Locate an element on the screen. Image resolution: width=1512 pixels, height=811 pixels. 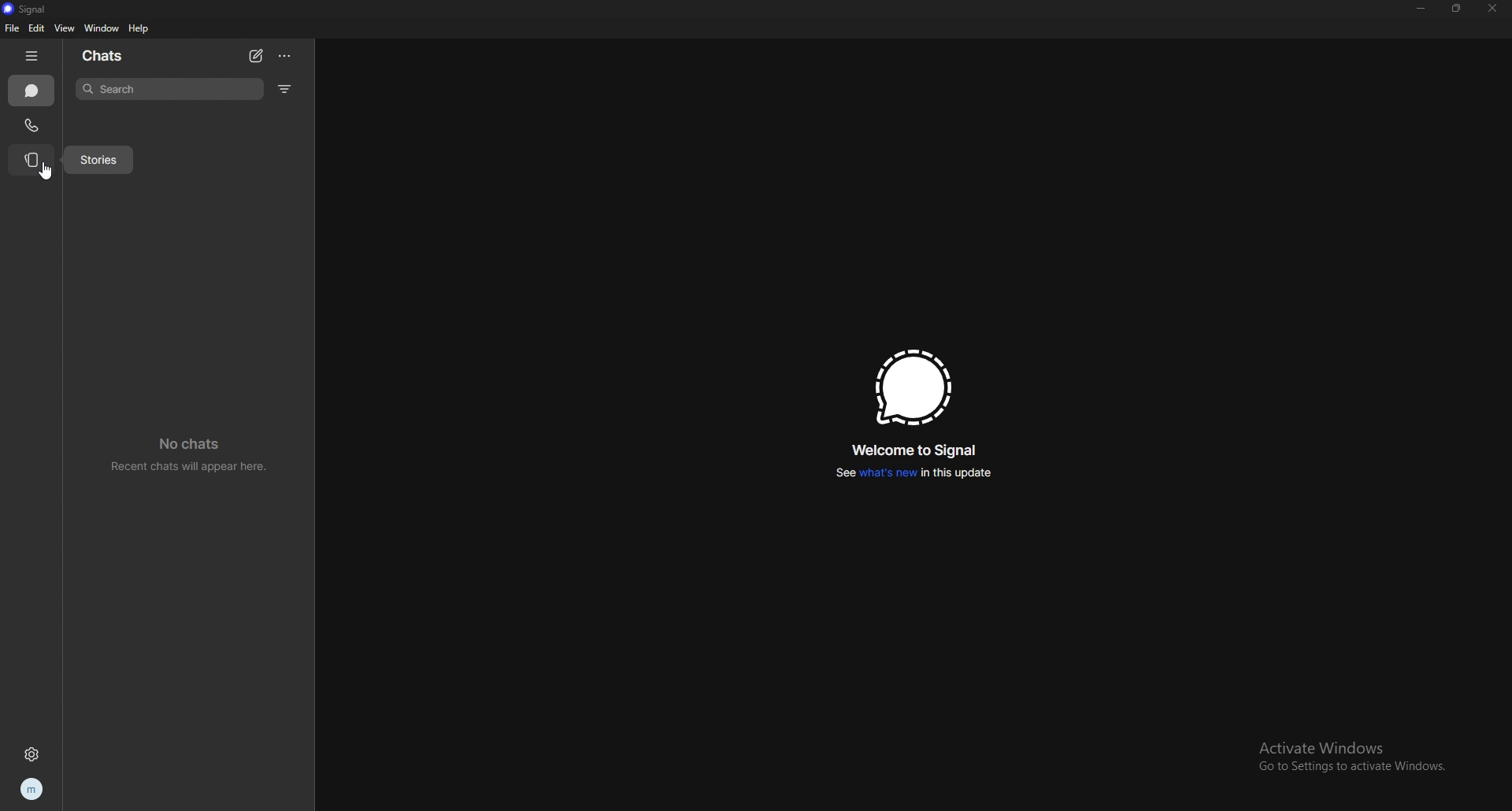
no chats is located at coordinates (192, 444).